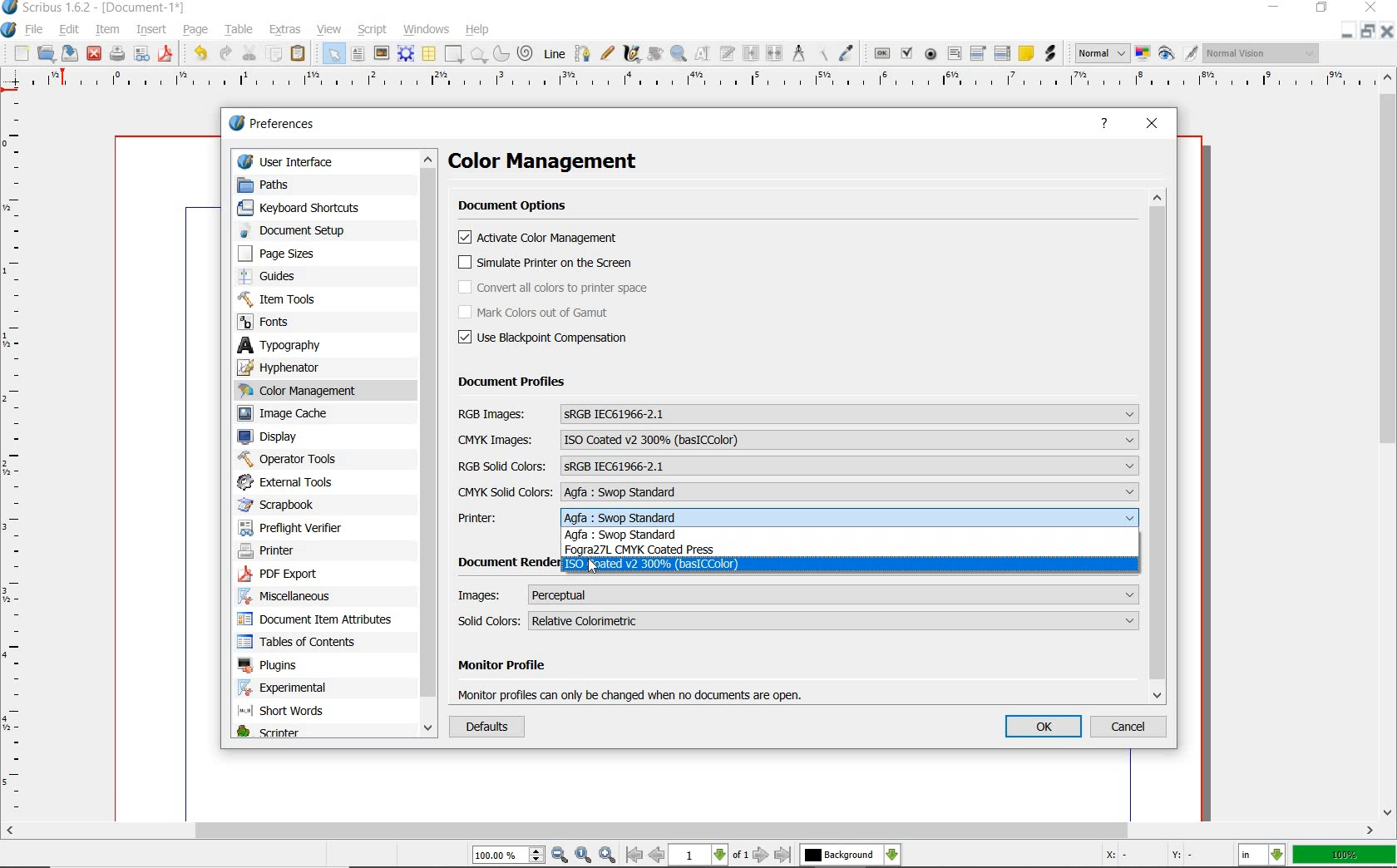 The image size is (1397, 868). I want to click on edit, so click(71, 29).